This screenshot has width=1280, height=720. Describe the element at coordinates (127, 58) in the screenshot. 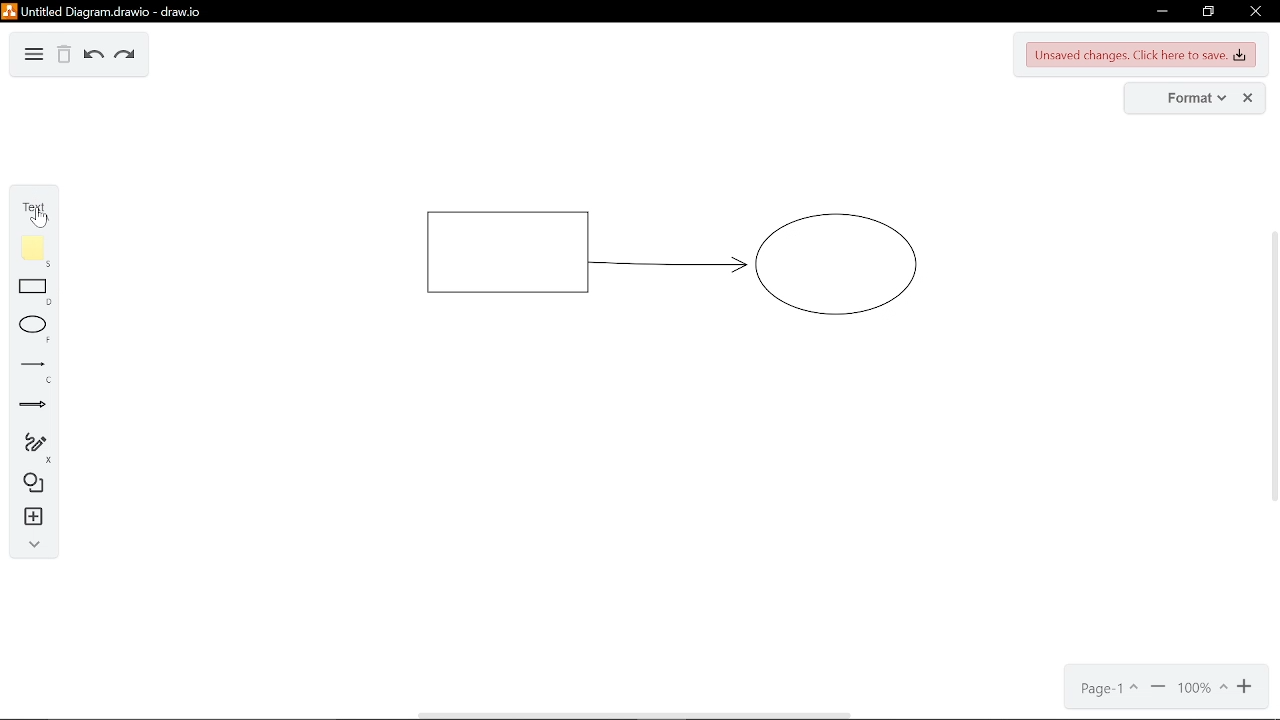

I see `redo` at that location.